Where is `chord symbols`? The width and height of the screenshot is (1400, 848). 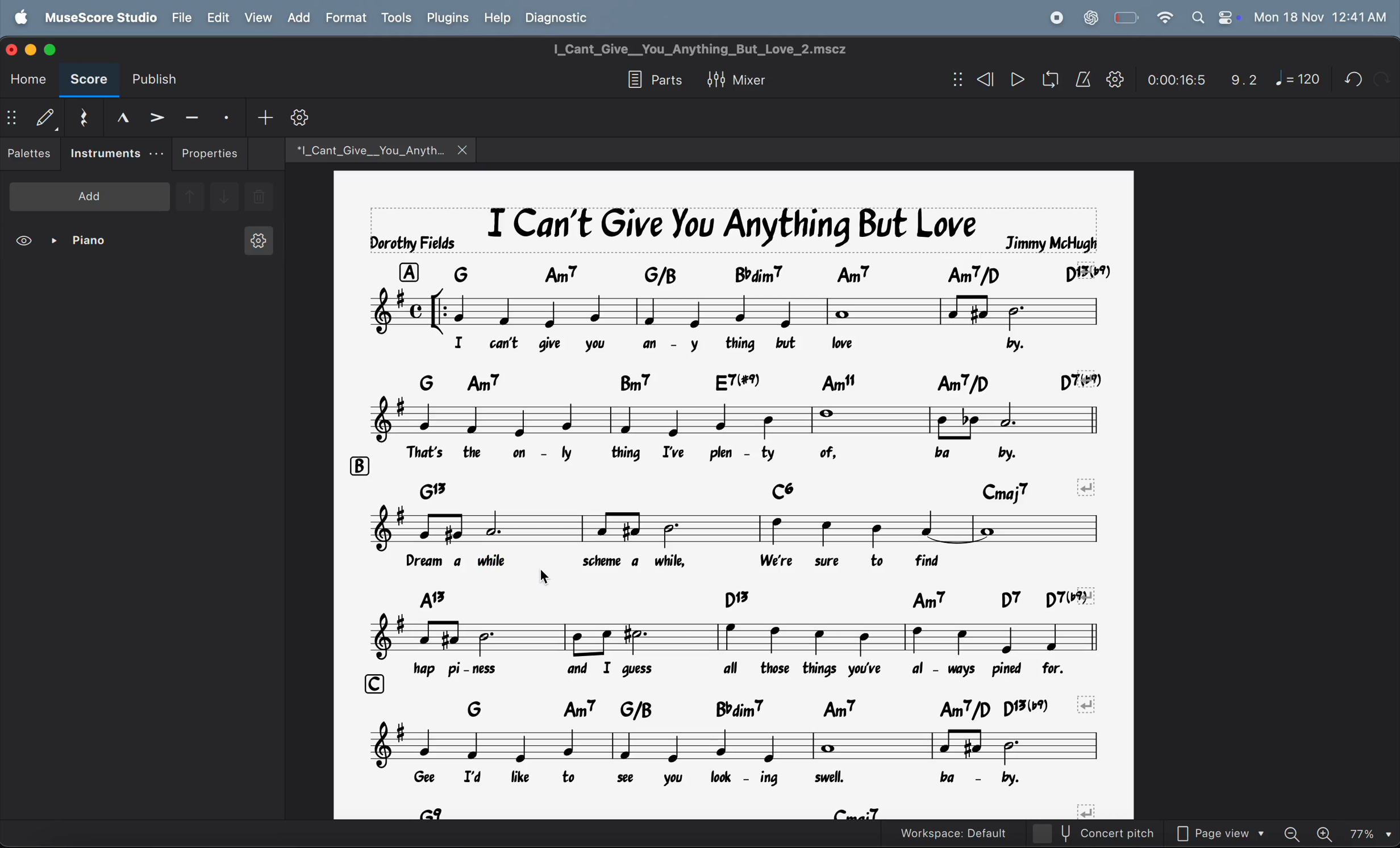 chord symbols is located at coordinates (736, 811).